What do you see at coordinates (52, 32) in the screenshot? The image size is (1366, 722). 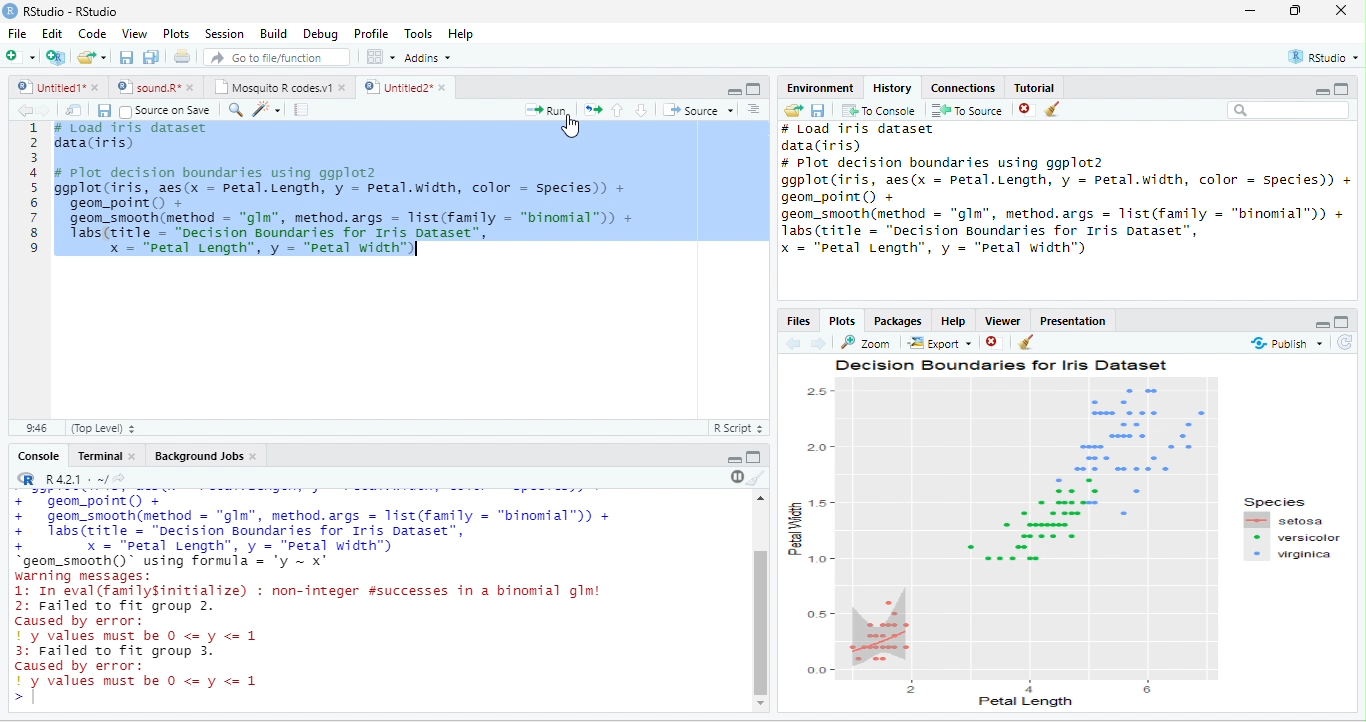 I see `Edit` at bounding box center [52, 32].